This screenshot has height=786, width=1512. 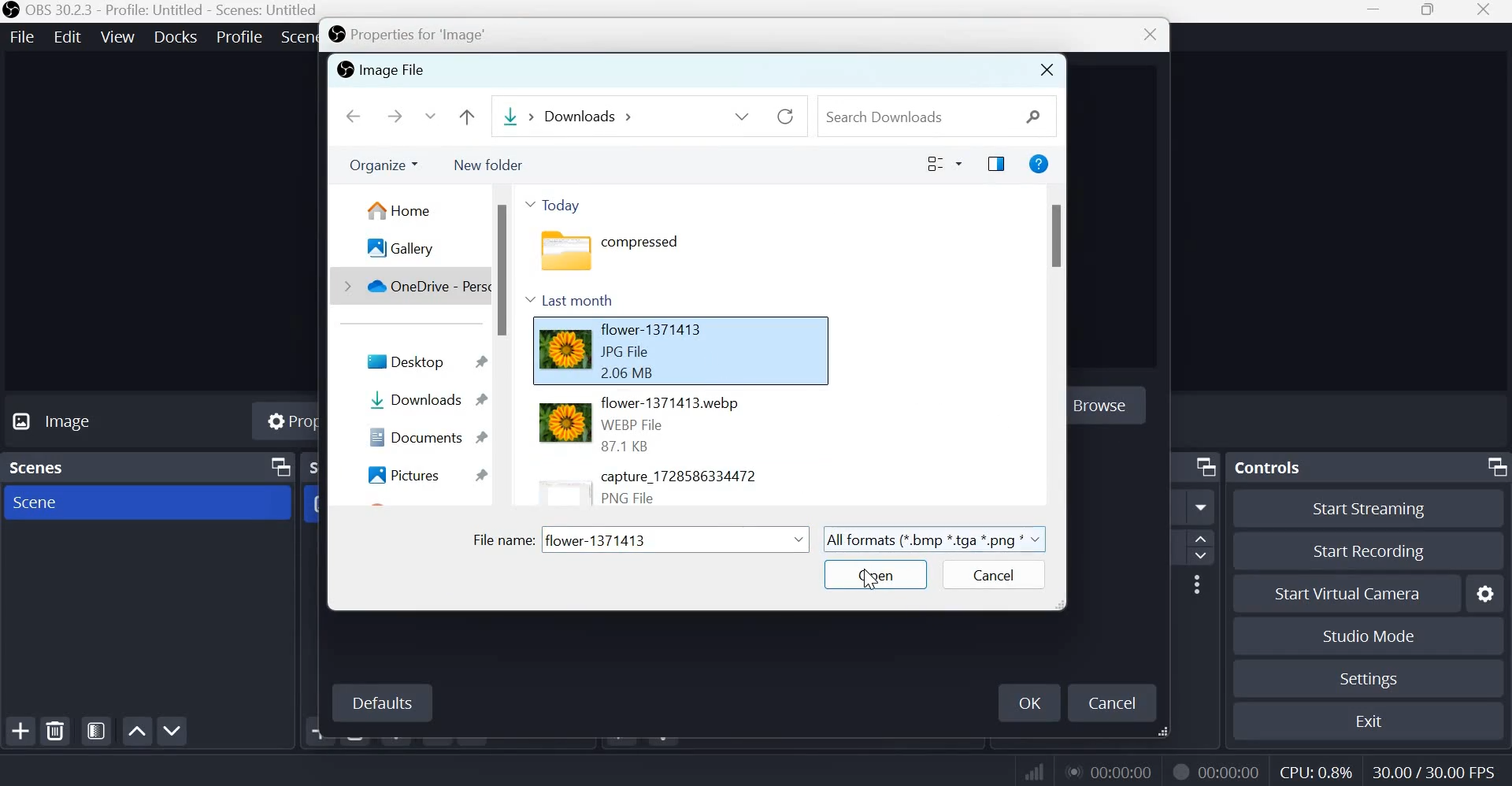 What do you see at coordinates (555, 205) in the screenshot?
I see `Today` at bounding box center [555, 205].